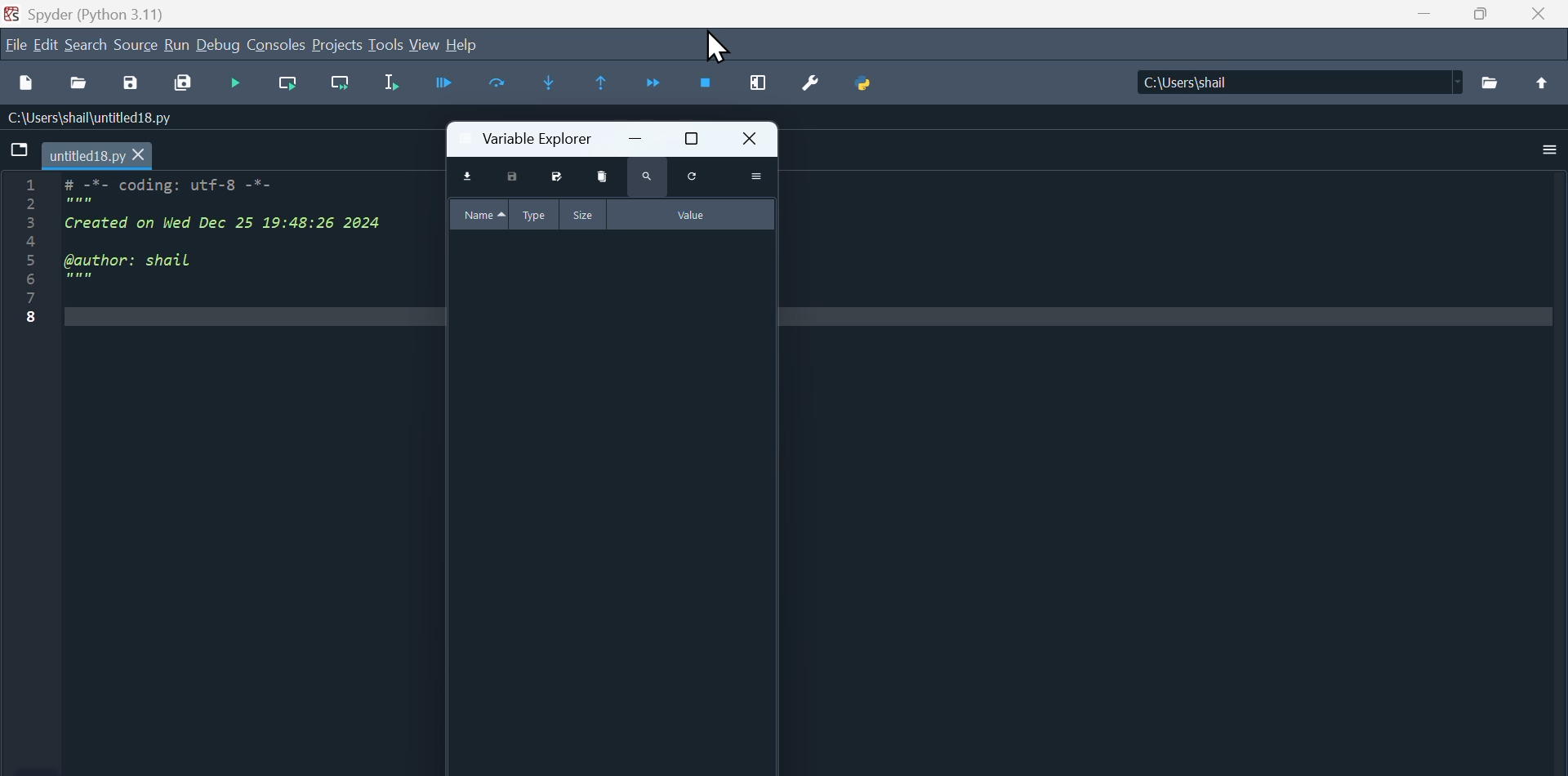  I want to click on Cursor, so click(723, 50).